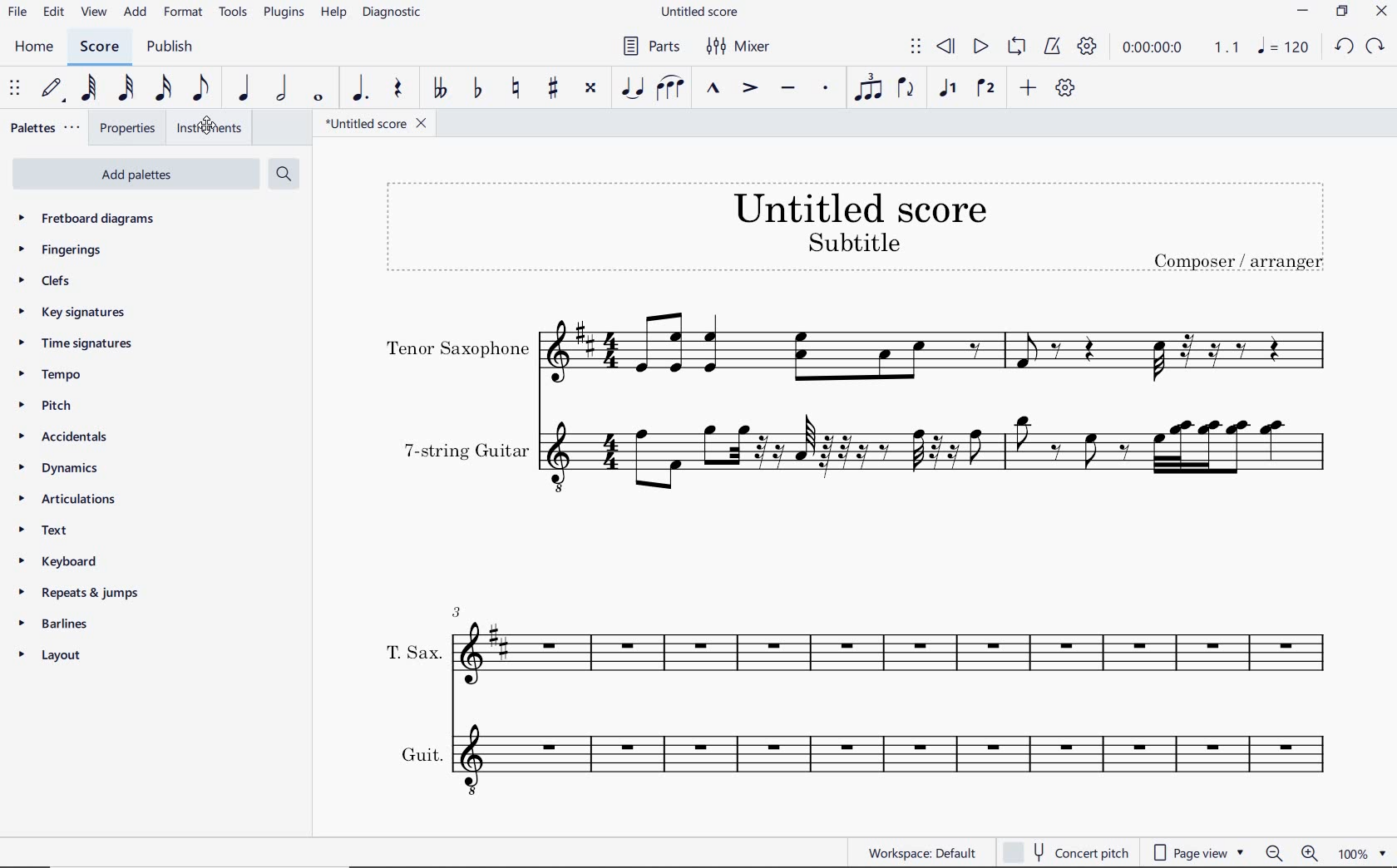  Describe the element at coordinates (1064, 88) in the screenshot. I see `CUSTOMIZE TOOLBAR` at that location.